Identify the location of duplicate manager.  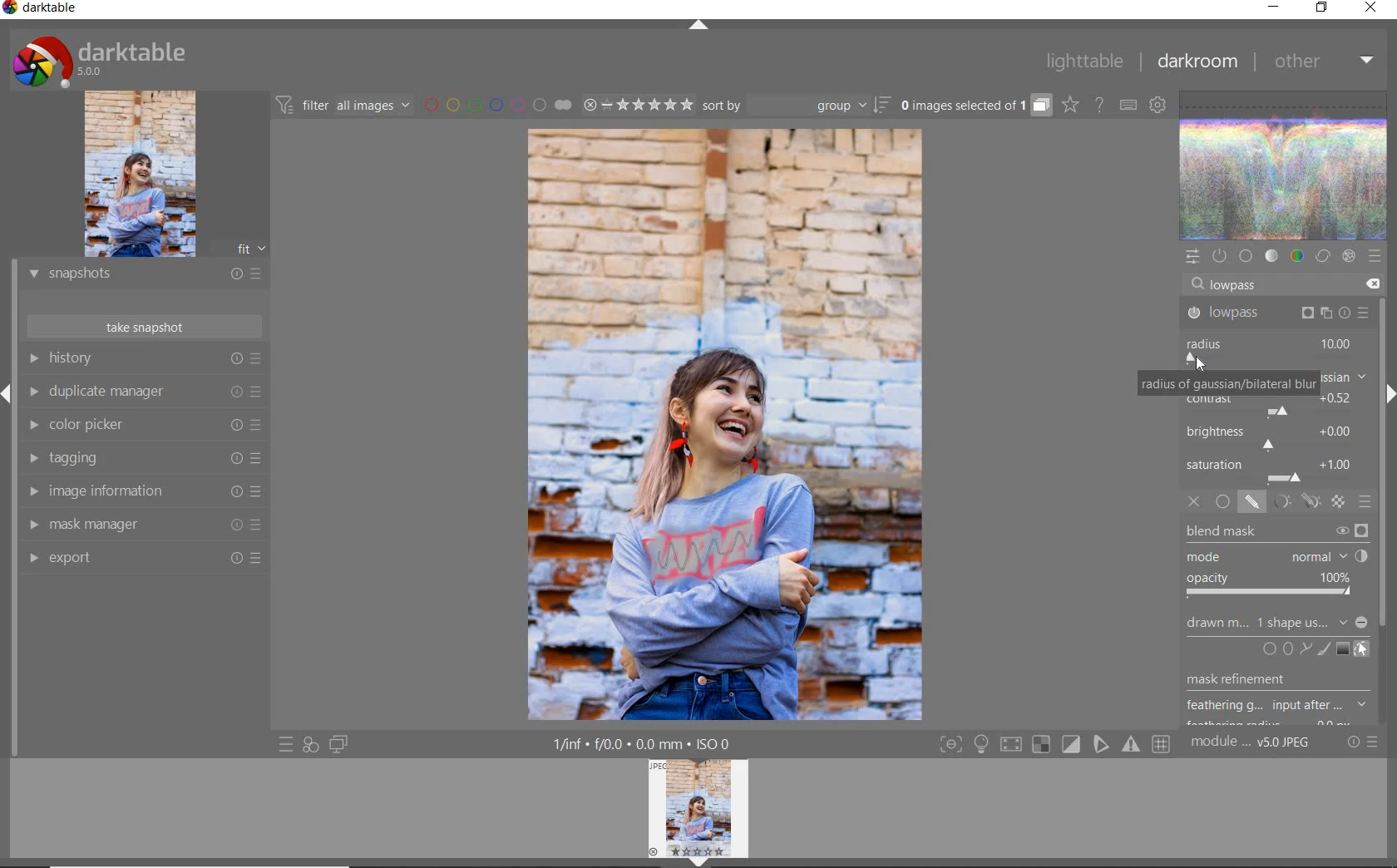
(146, 393).